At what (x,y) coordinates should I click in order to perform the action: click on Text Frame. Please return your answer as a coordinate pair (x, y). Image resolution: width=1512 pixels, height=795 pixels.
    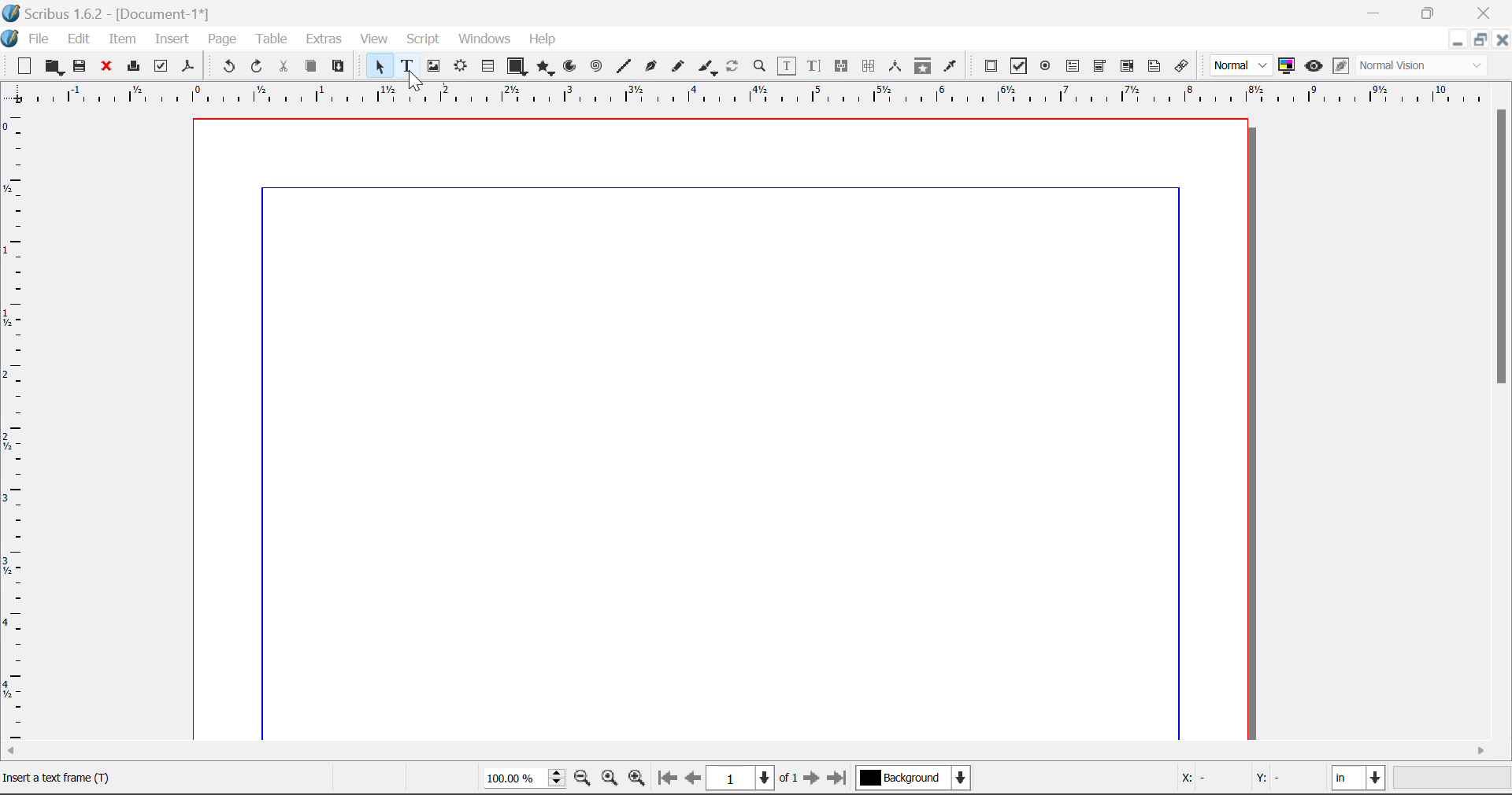
    Looking at the image, I should click on (408, 67).